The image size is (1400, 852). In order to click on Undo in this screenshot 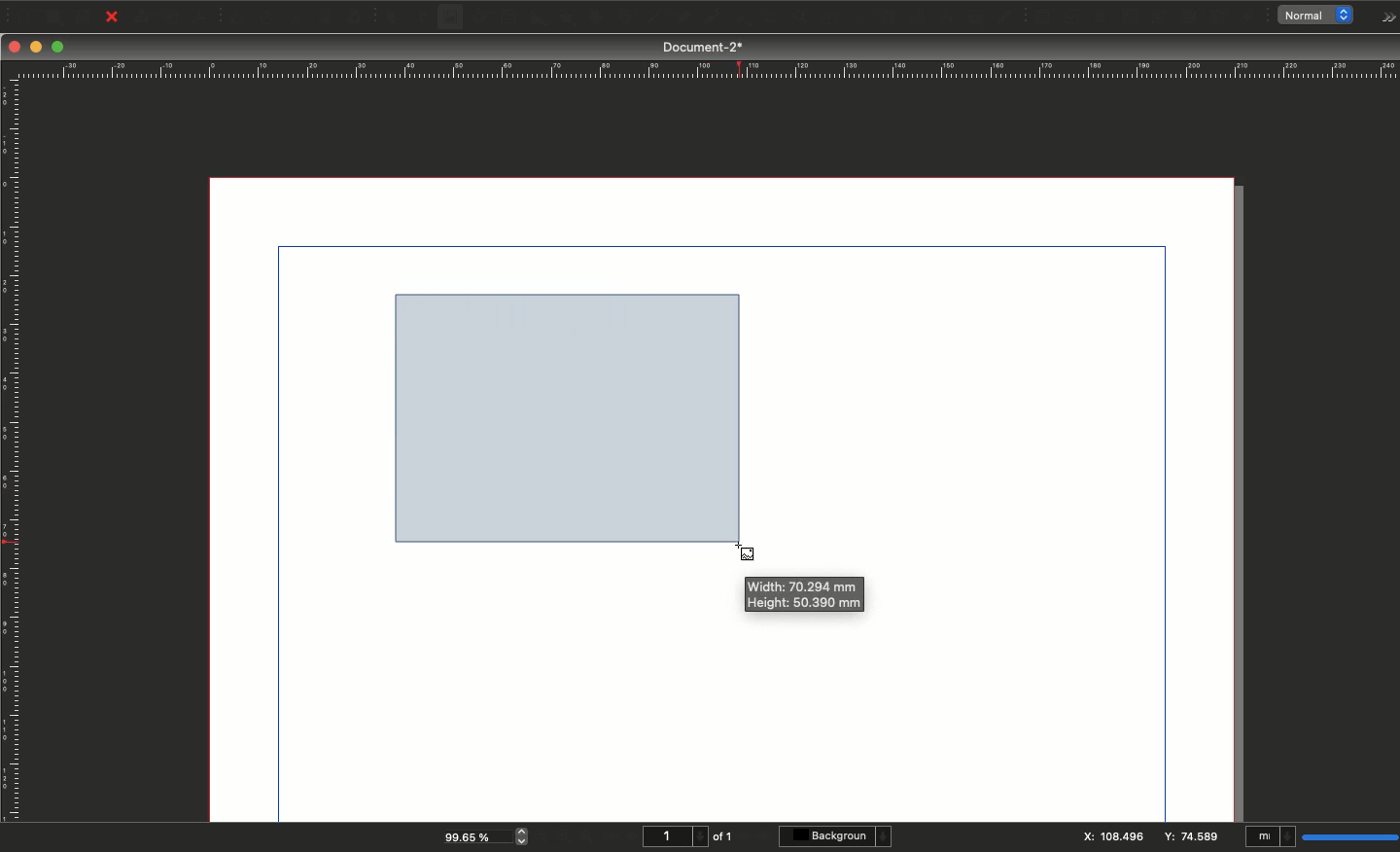, I will do `click(237, 18)`.